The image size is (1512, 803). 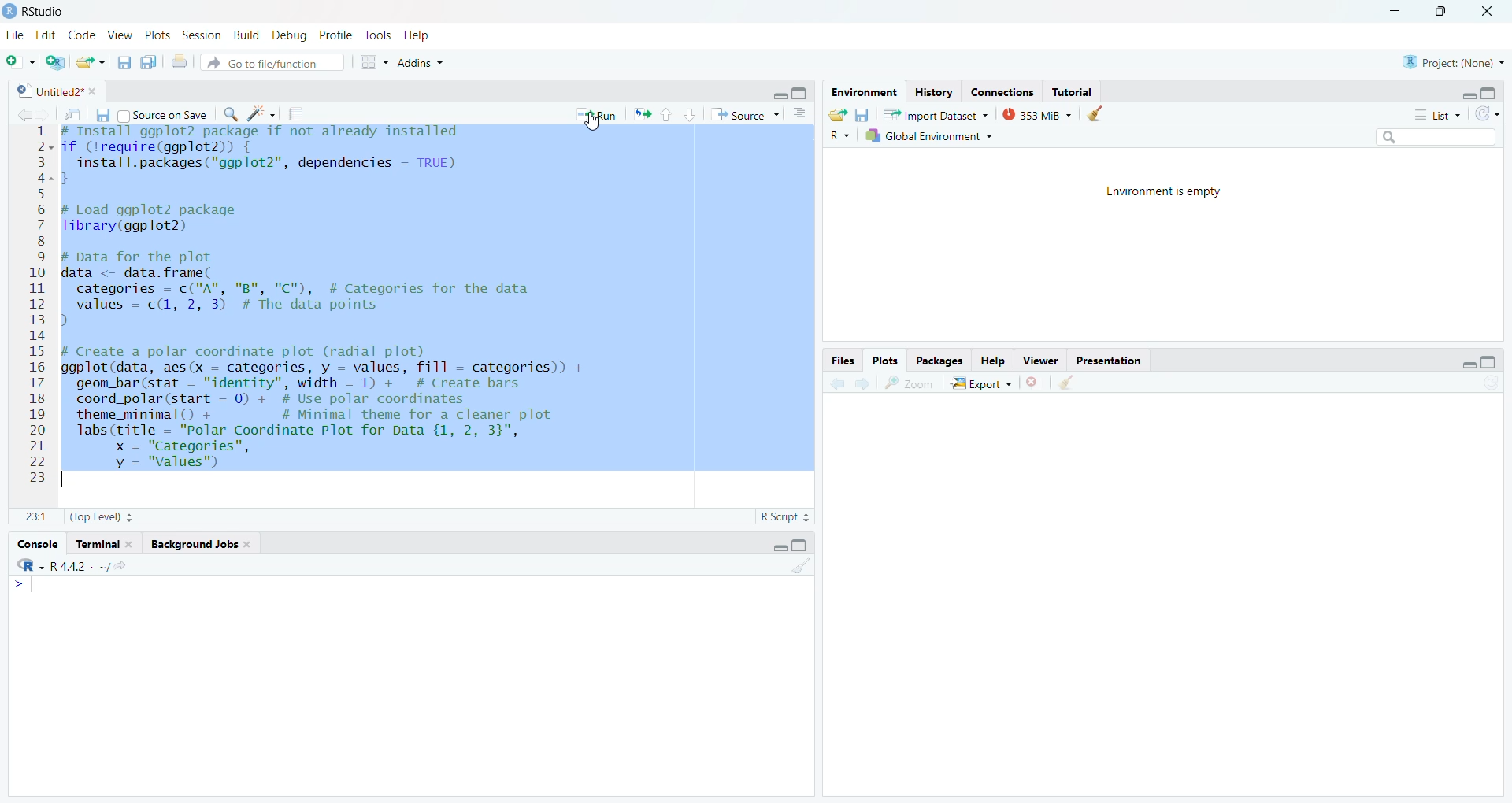 What do you see at coordinates (275, 64) in the screenshot?
I see ` Goto file/function` at bounding box center [275, 64].